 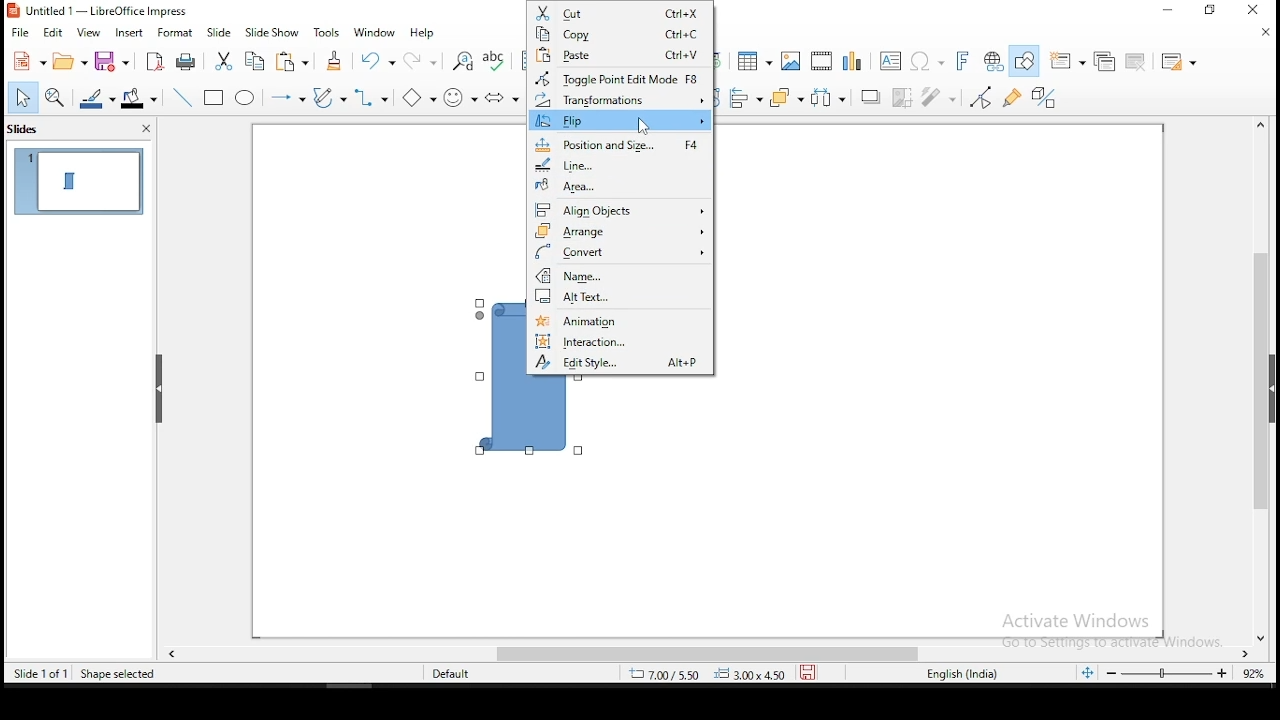 What do you see at coordinates (1045, 100) in the screenshot?
I see `toggle extrusion` at bounding box center [1045, 100].